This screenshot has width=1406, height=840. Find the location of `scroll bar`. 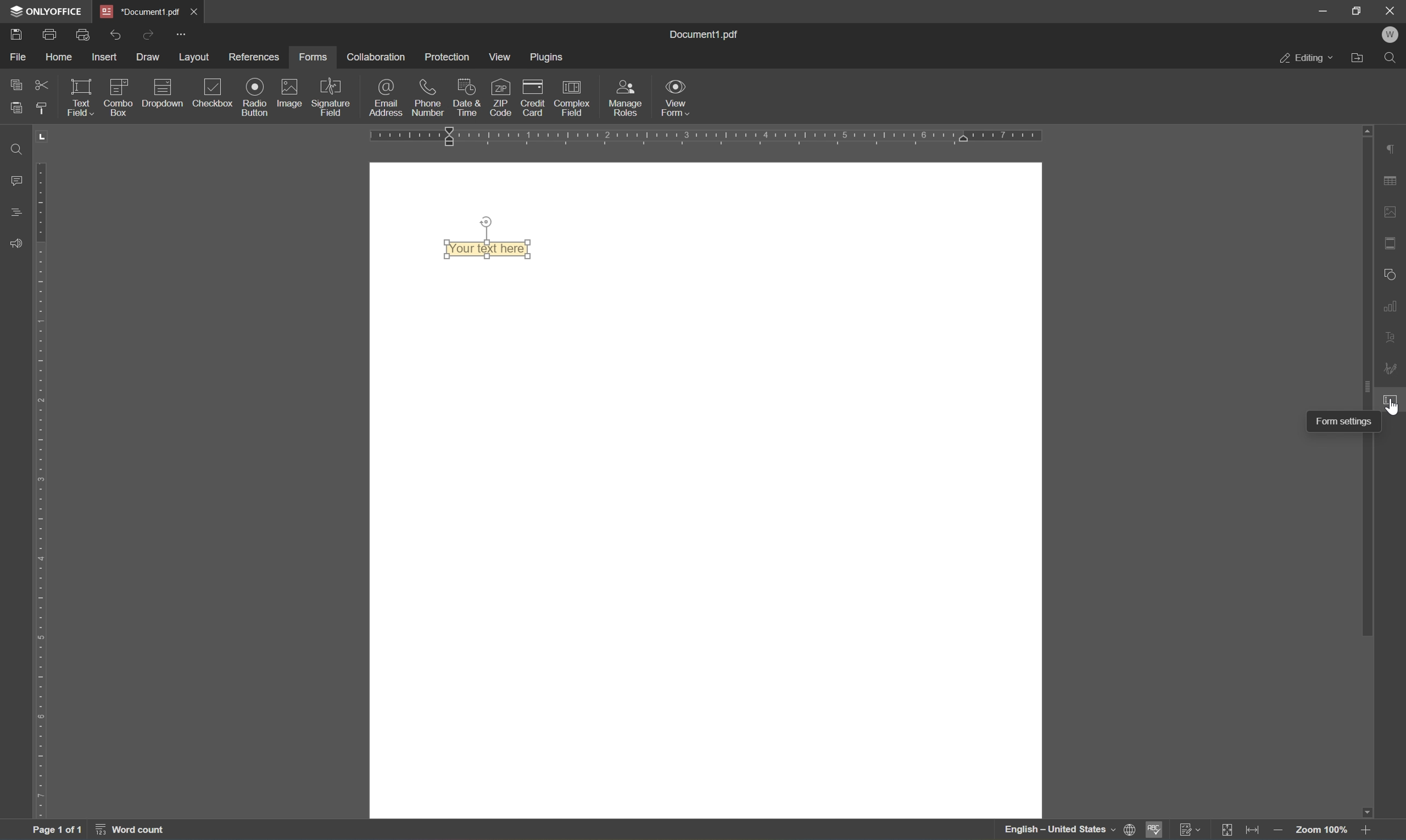

scroll bar is located at coordinates (1368, 384).